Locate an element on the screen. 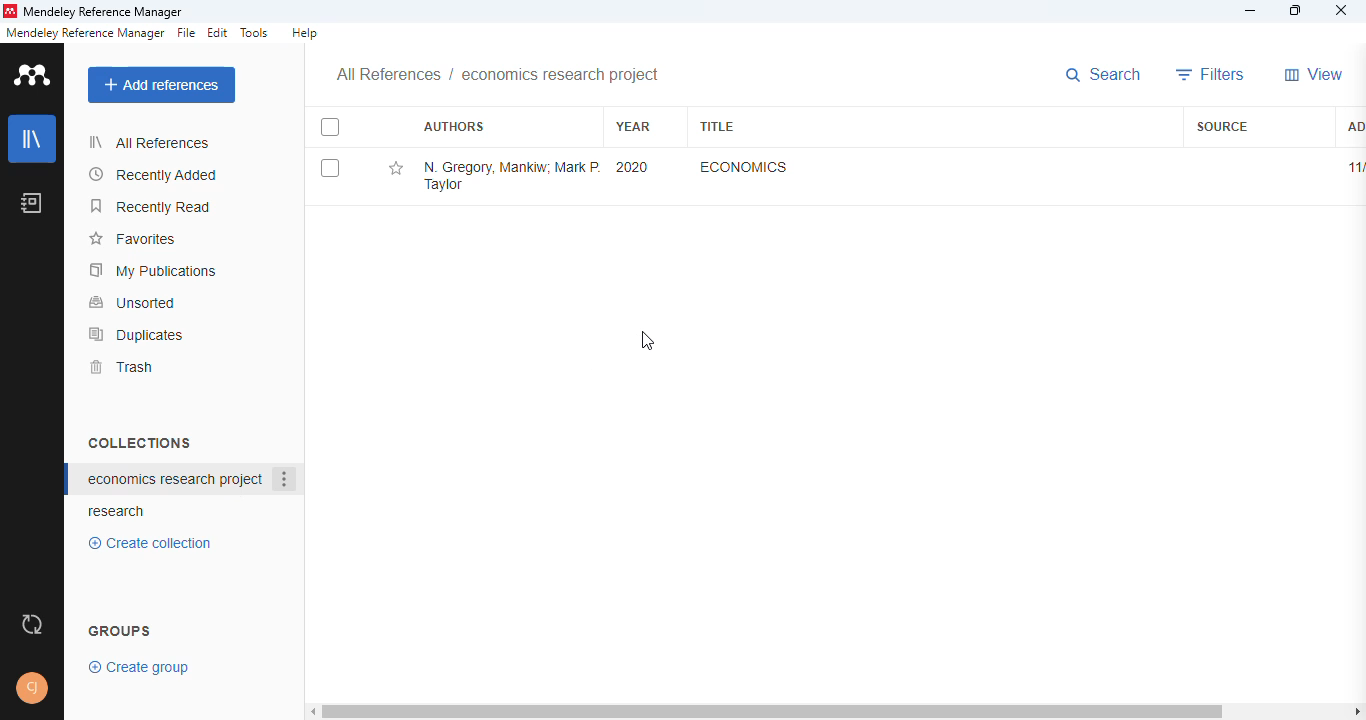 The height and width of the screenshot is (720, 1366). ECONOMICS is located at coordinates (746, 166).